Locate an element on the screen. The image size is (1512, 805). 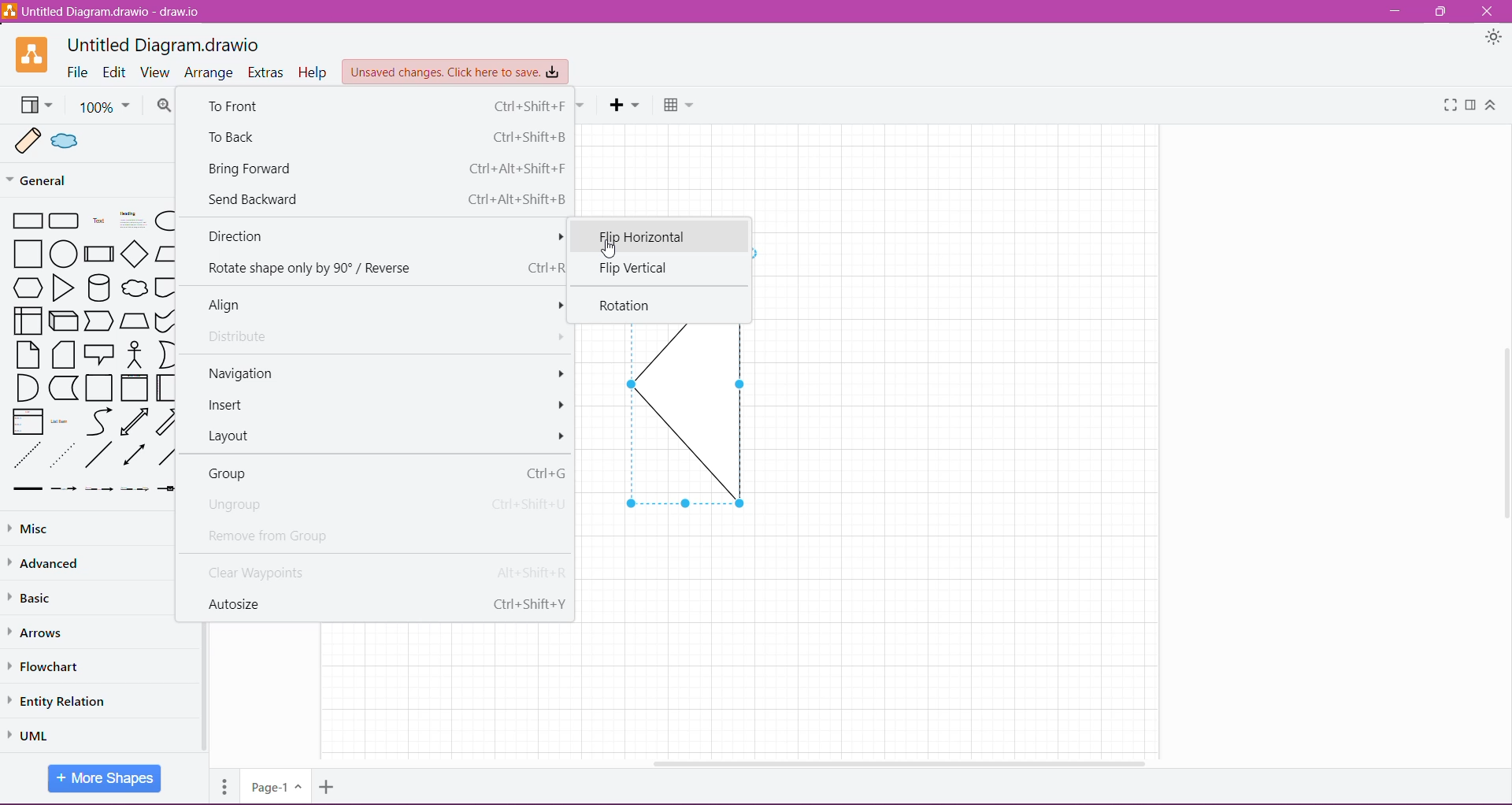
Minimize is located at coordinates (1394, 12).